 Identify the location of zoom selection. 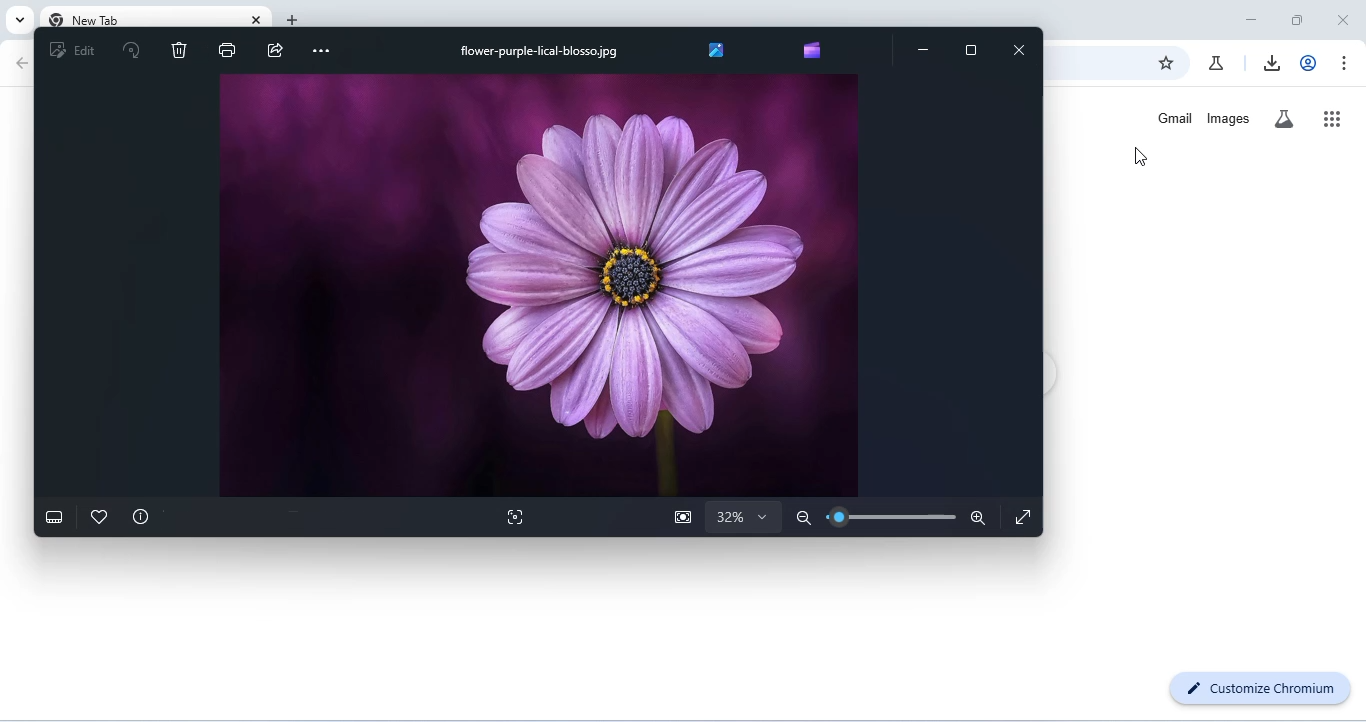
(738, 517).